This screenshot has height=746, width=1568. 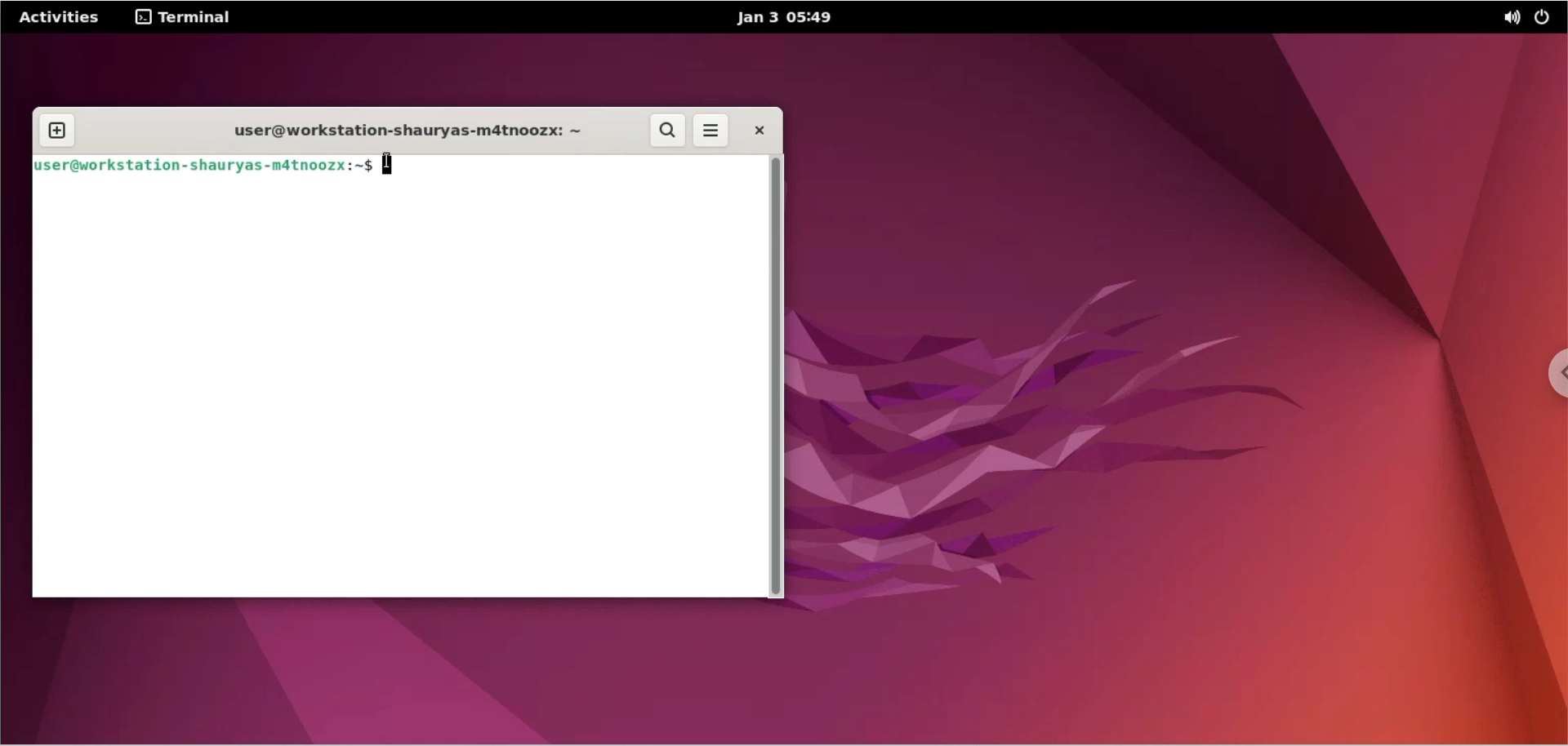 I want to click on close, so click(x=758, y=130).